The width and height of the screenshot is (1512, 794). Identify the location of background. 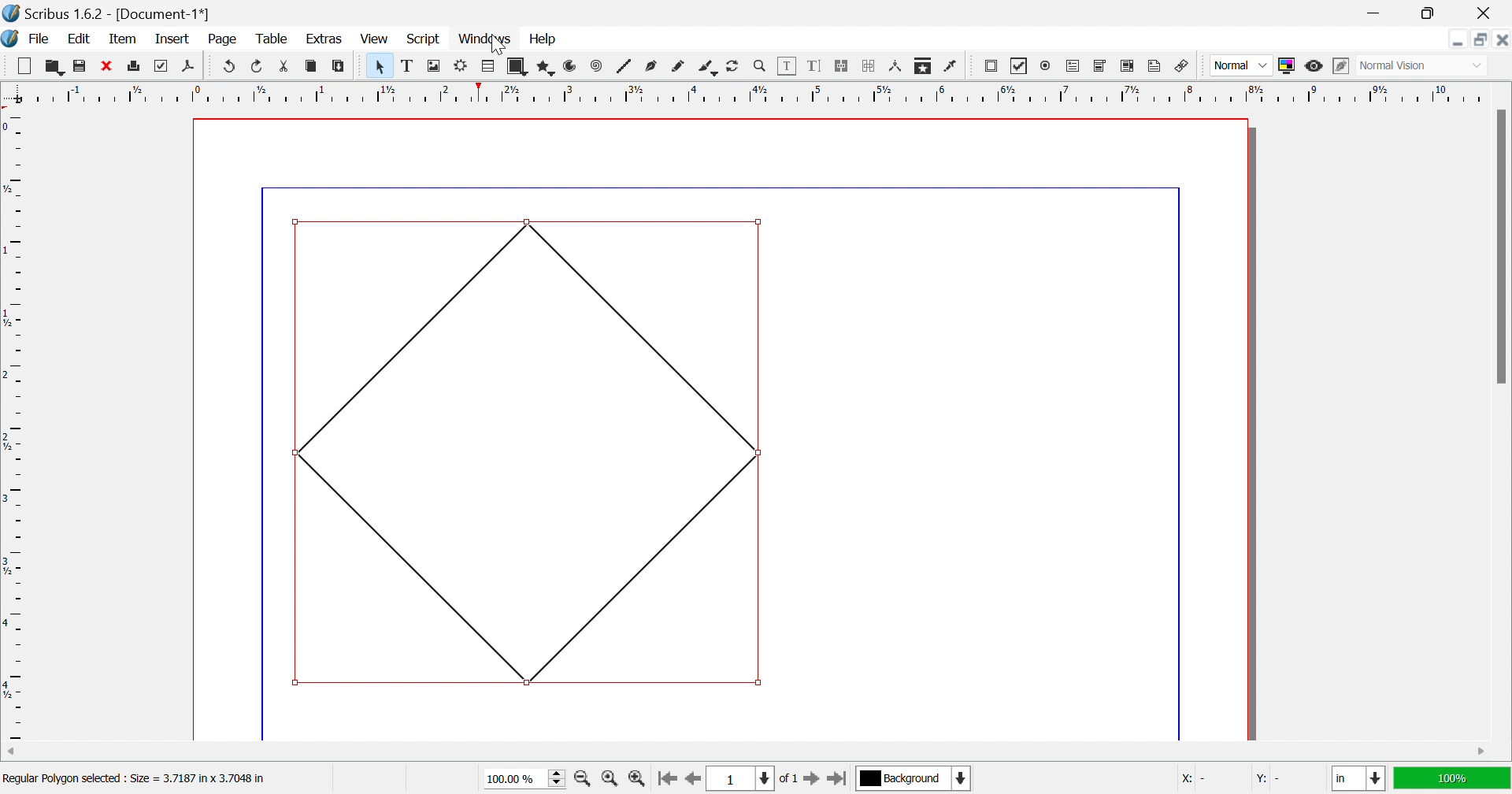
(915, 777).